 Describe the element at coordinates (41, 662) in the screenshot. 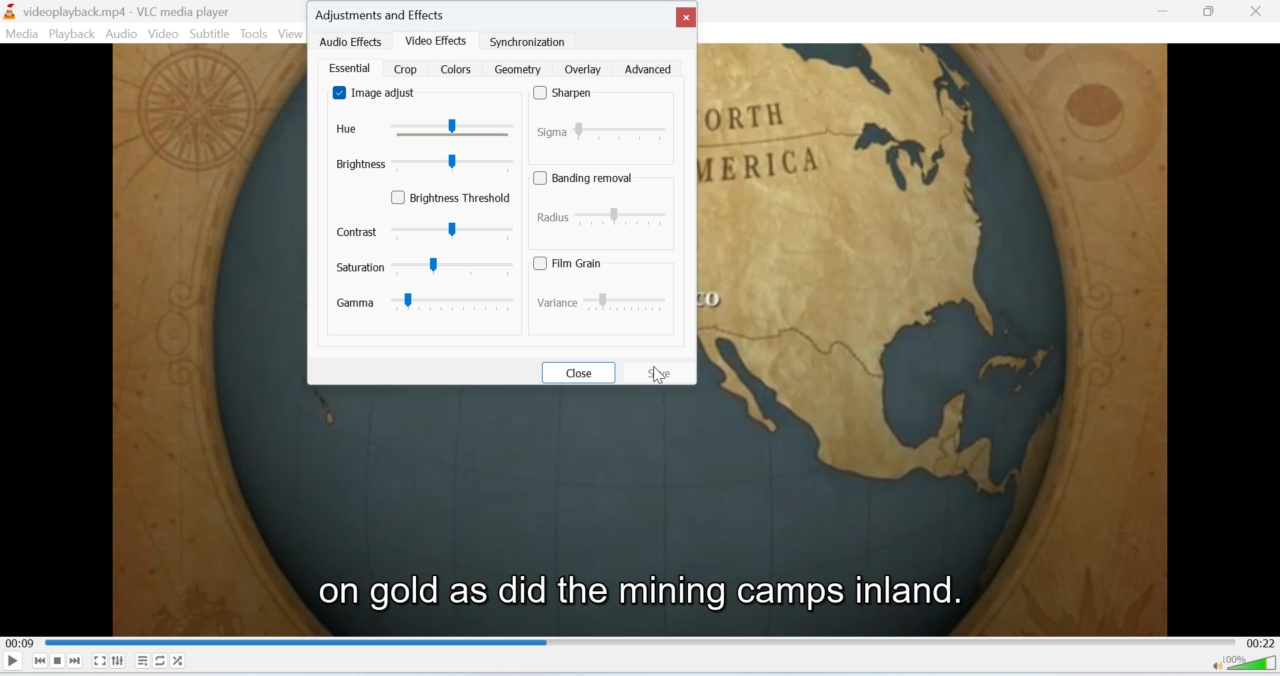

I see `Seek backwards` at that location.